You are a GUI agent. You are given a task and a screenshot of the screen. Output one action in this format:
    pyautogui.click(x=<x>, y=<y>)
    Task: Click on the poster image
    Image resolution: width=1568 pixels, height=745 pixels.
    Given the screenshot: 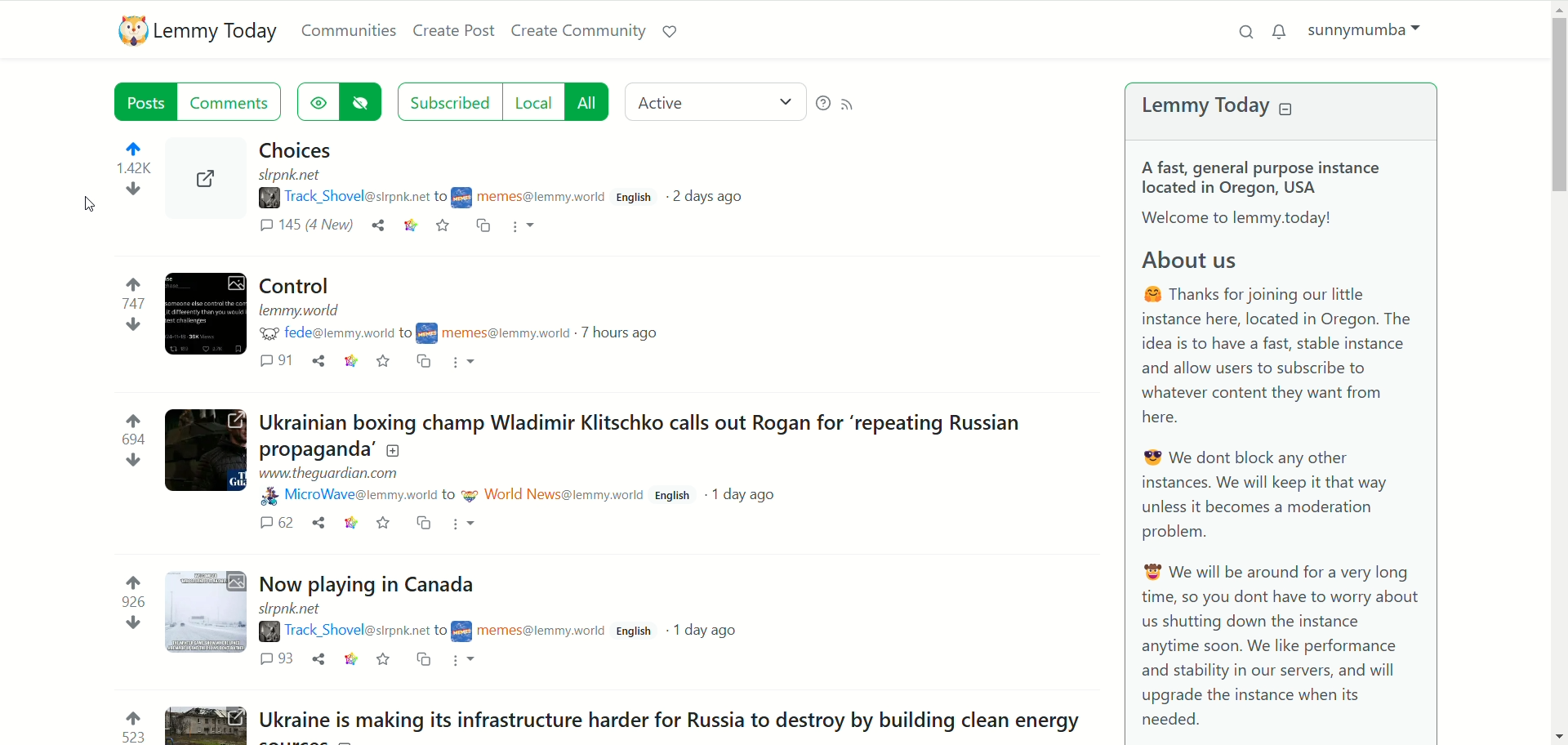 What is the action you would take?
    pyautogui.click(x=269, y=495)
    